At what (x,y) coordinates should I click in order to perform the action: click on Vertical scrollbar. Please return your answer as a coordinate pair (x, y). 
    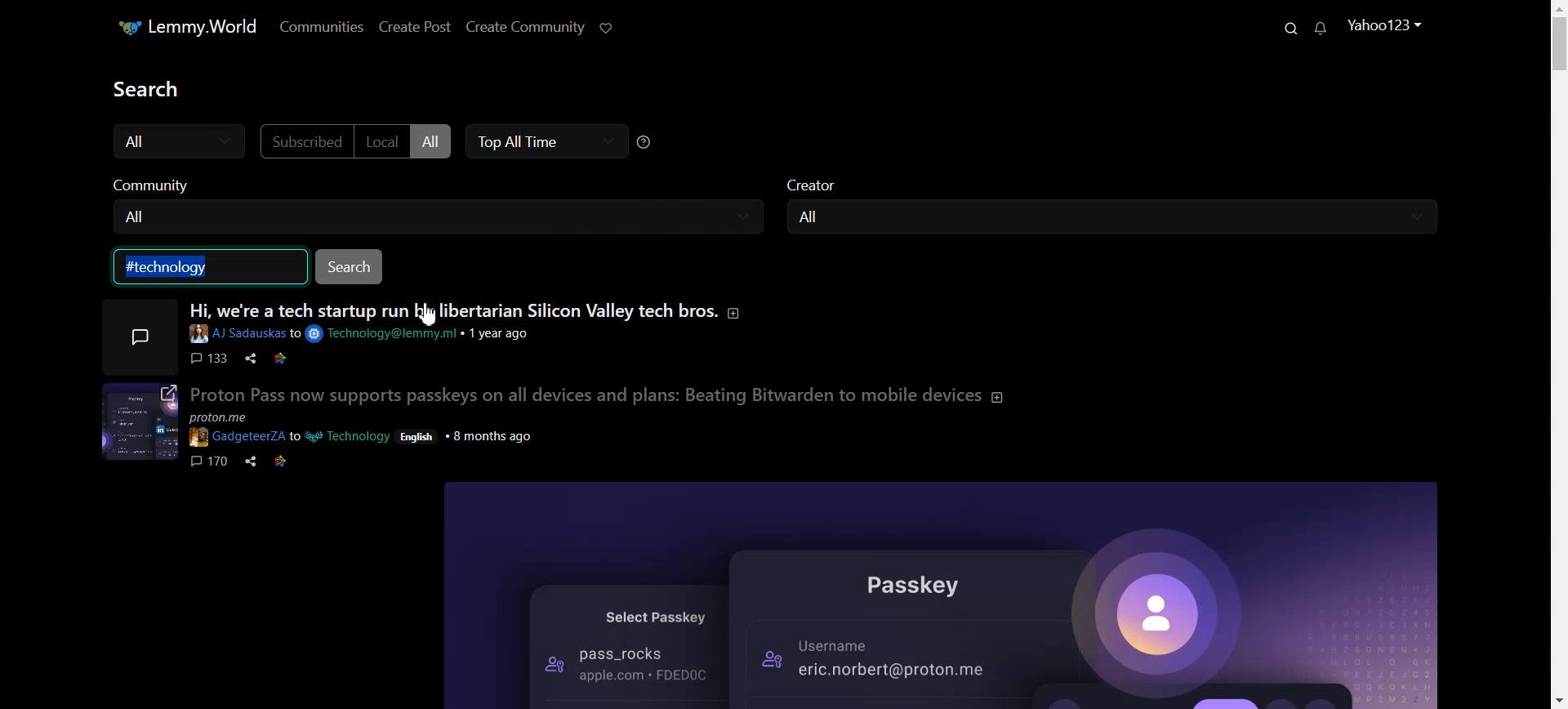
    Looking at the image, I should click on (1558, 354).